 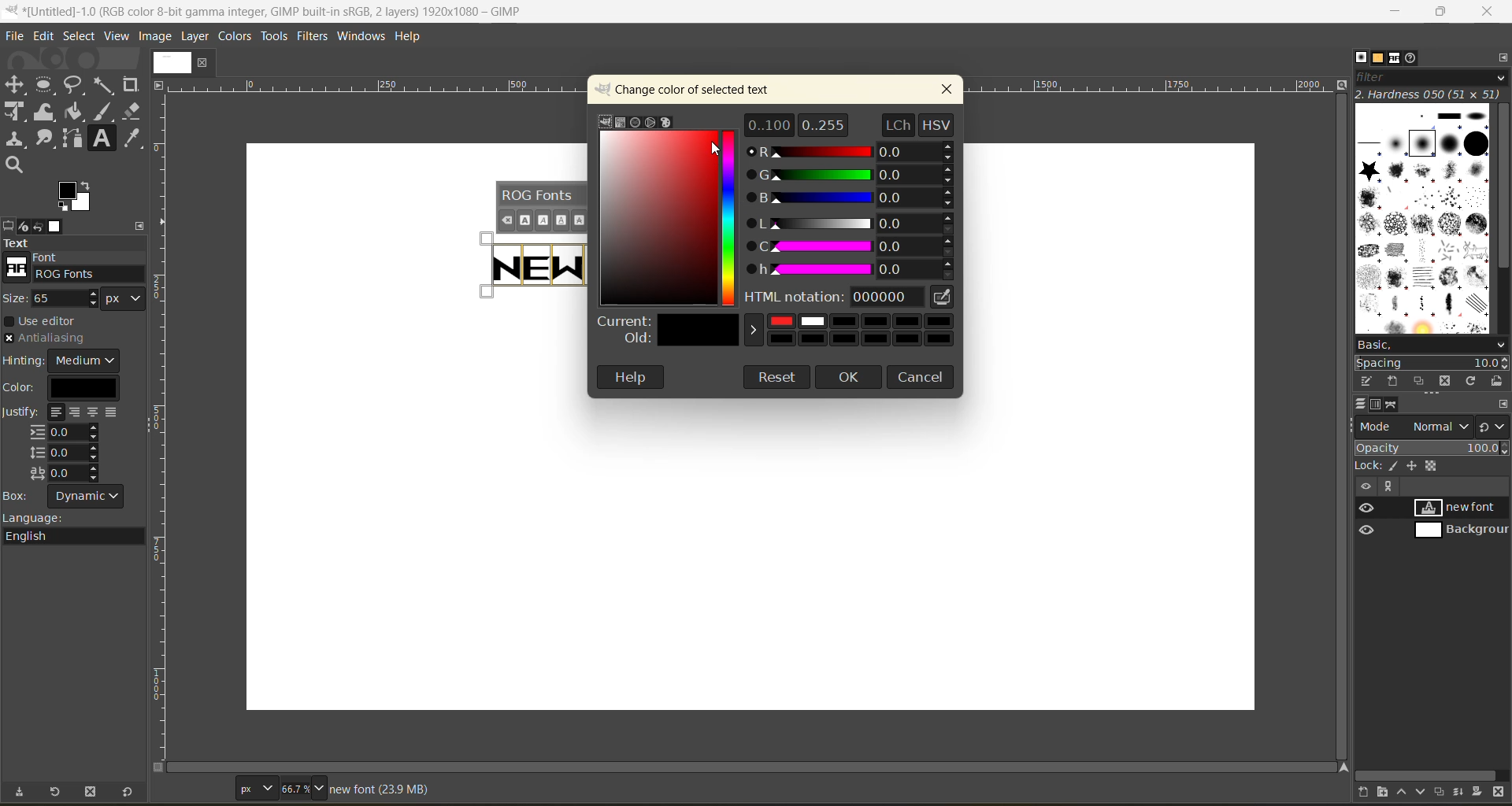 What do you see at coordinates (1423, 221) in the screenshot?
I see `brushes` at bounding box center [1423, 221].